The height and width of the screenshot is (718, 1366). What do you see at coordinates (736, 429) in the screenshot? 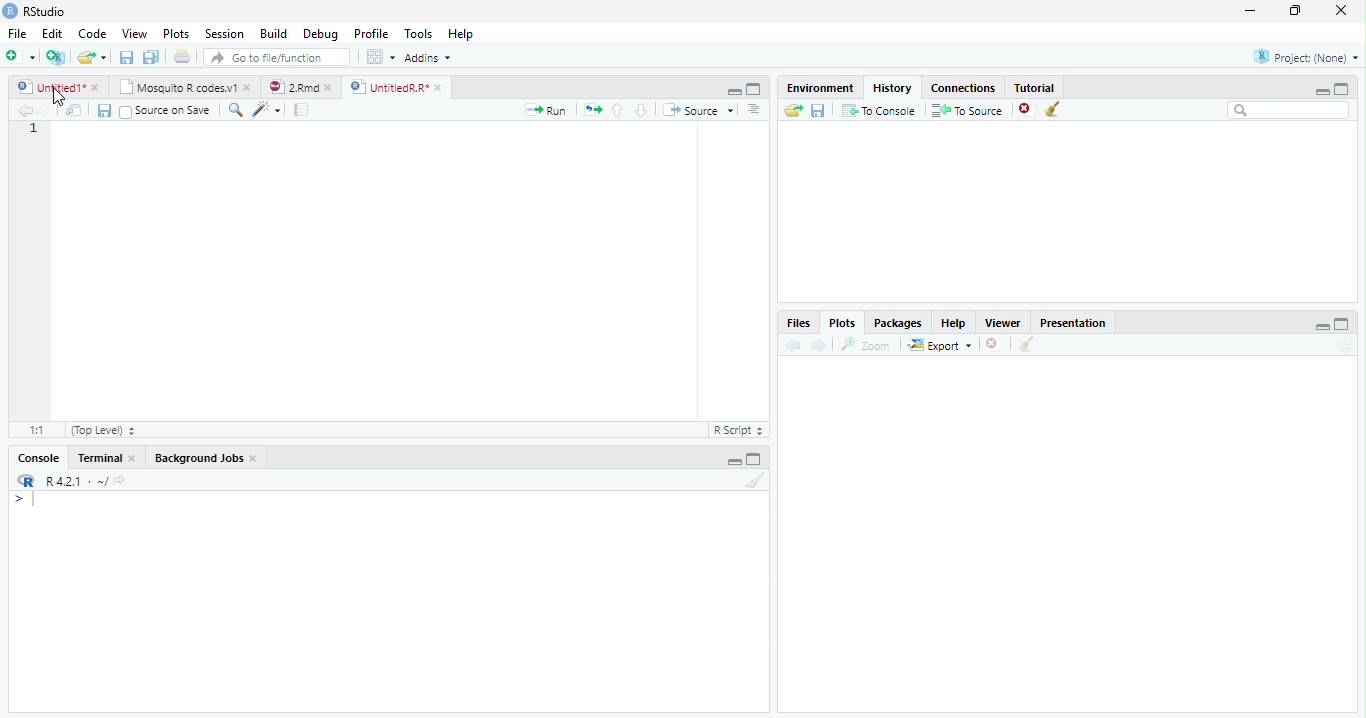
I see `R script` at bounding box center [736, 429].